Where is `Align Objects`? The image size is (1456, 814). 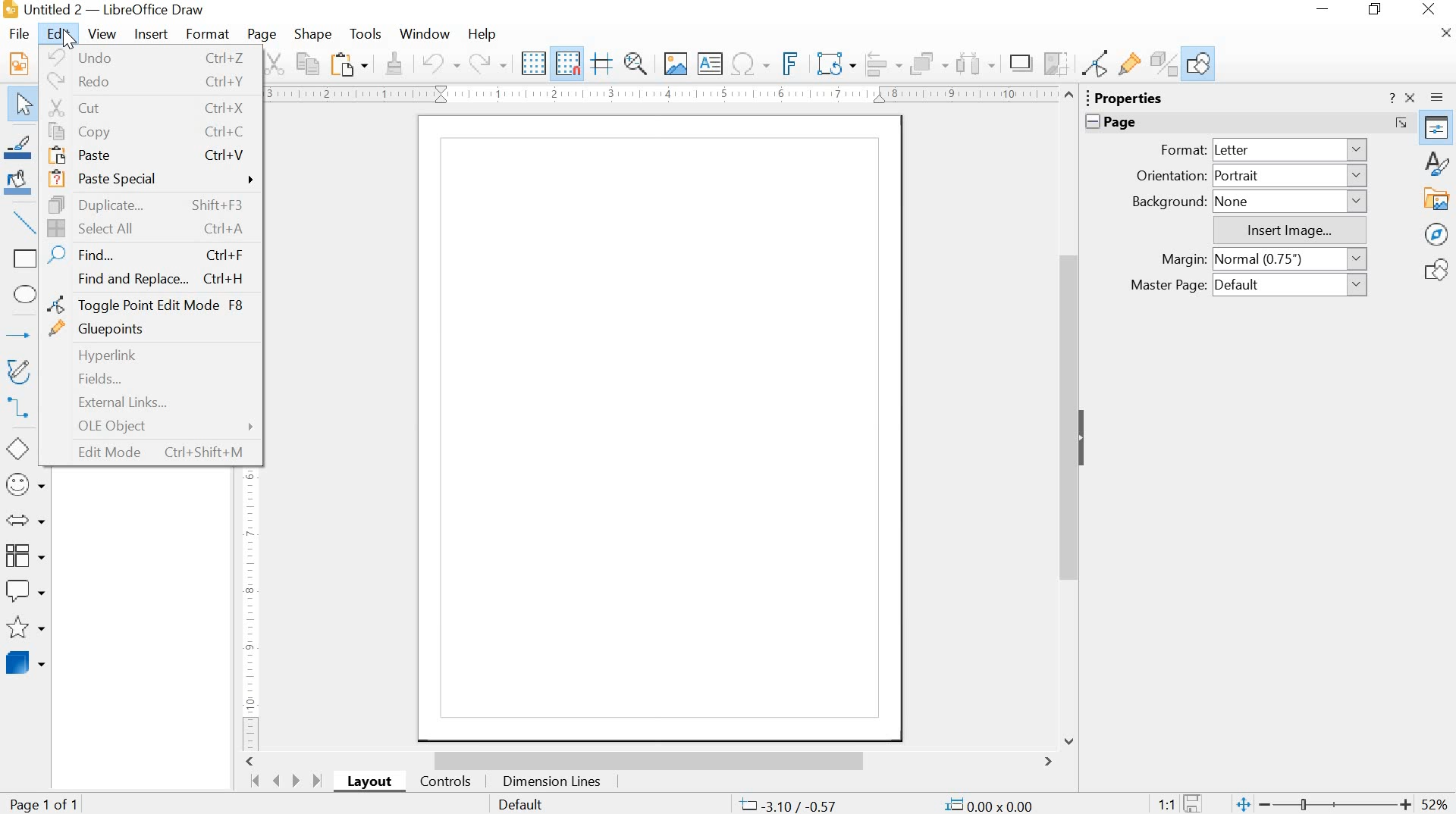
Align Objects is located at coordinates (883, 65).